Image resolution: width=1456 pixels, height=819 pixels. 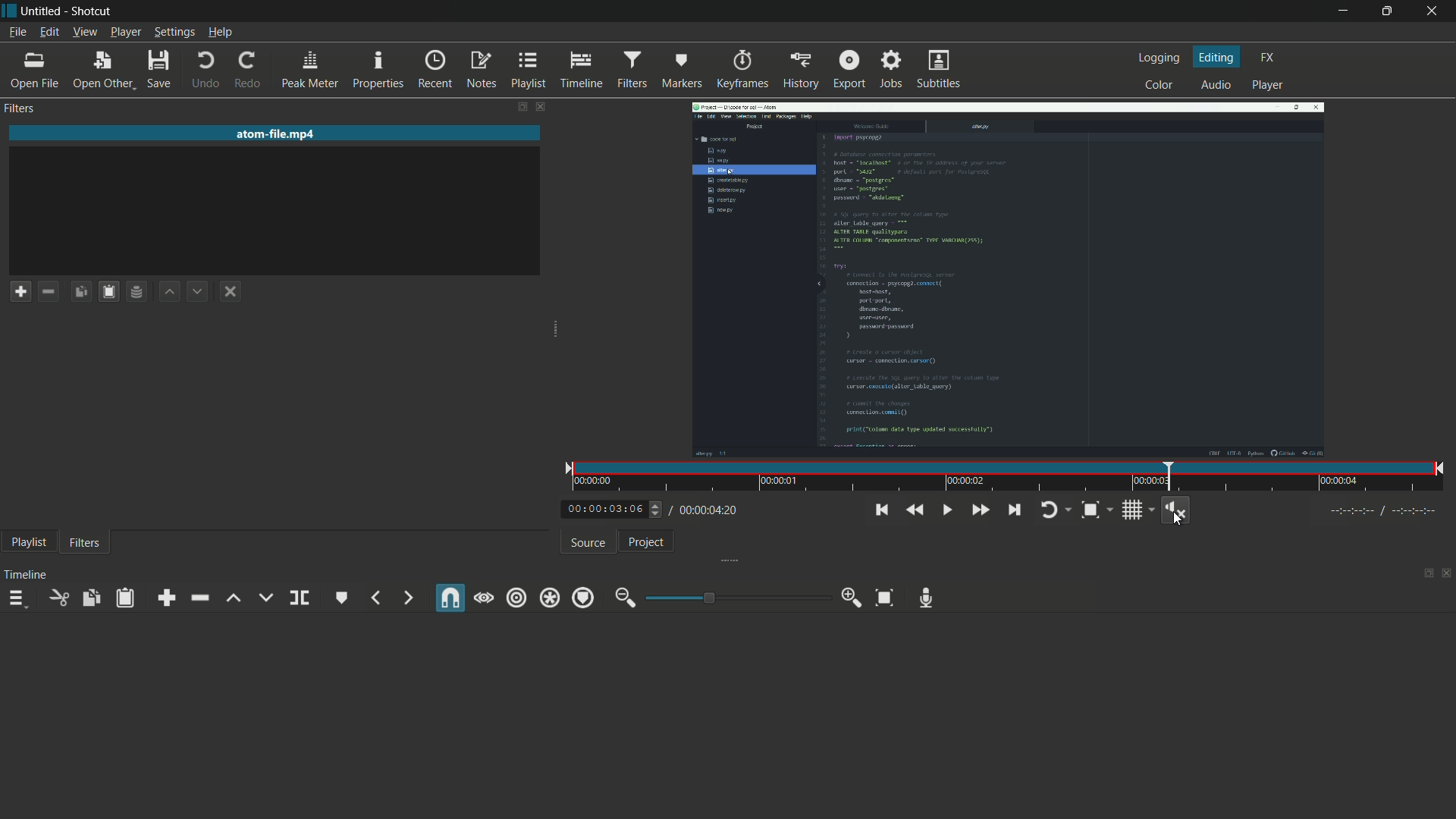 What do you see at coordinates (48, 292) in the screenshot?
I see `remove filter` at bounding box center [48, 292].